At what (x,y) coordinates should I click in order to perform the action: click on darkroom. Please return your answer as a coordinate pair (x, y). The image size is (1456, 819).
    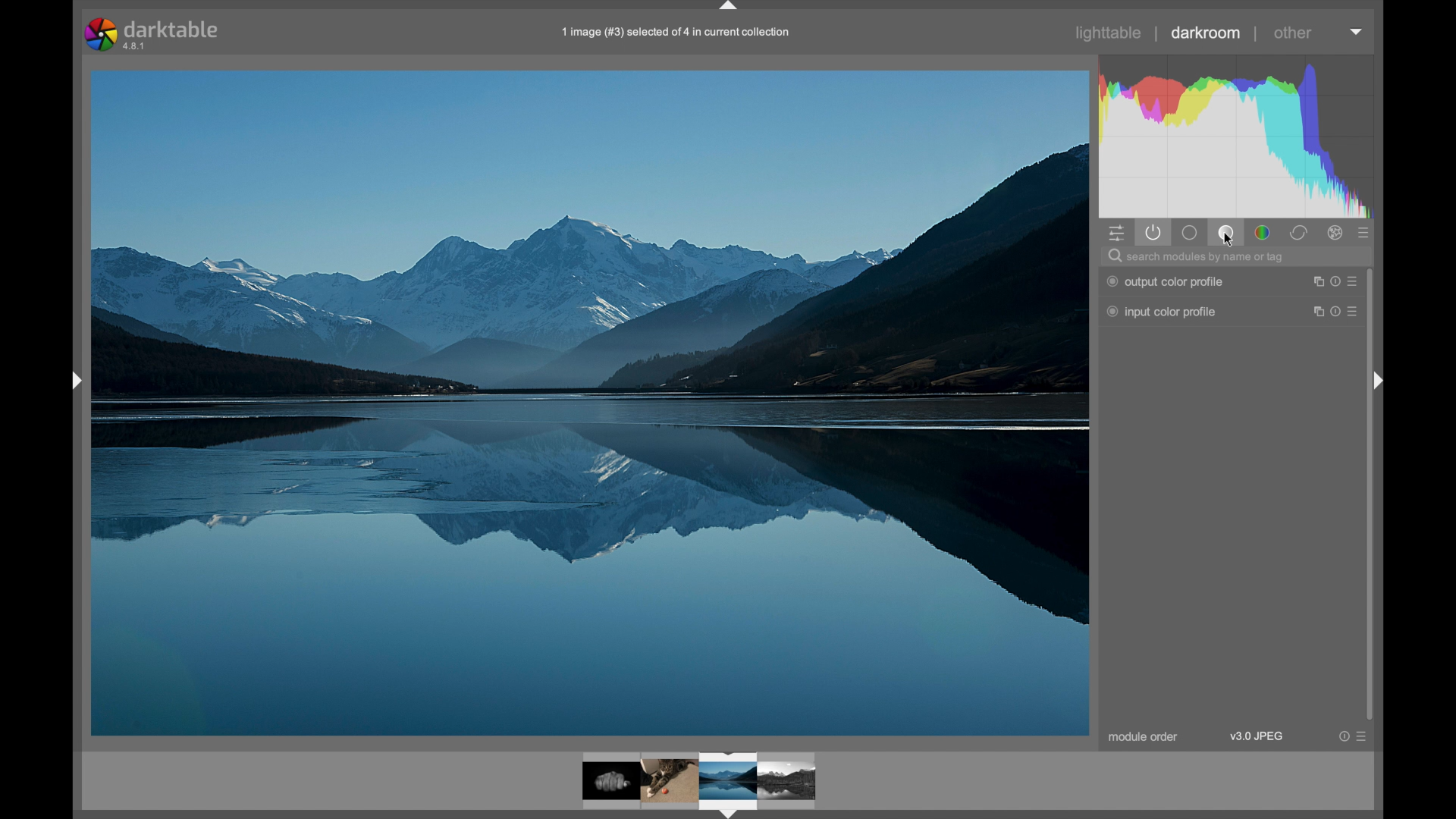
    Looking at the image, I should click on (1207, 33).